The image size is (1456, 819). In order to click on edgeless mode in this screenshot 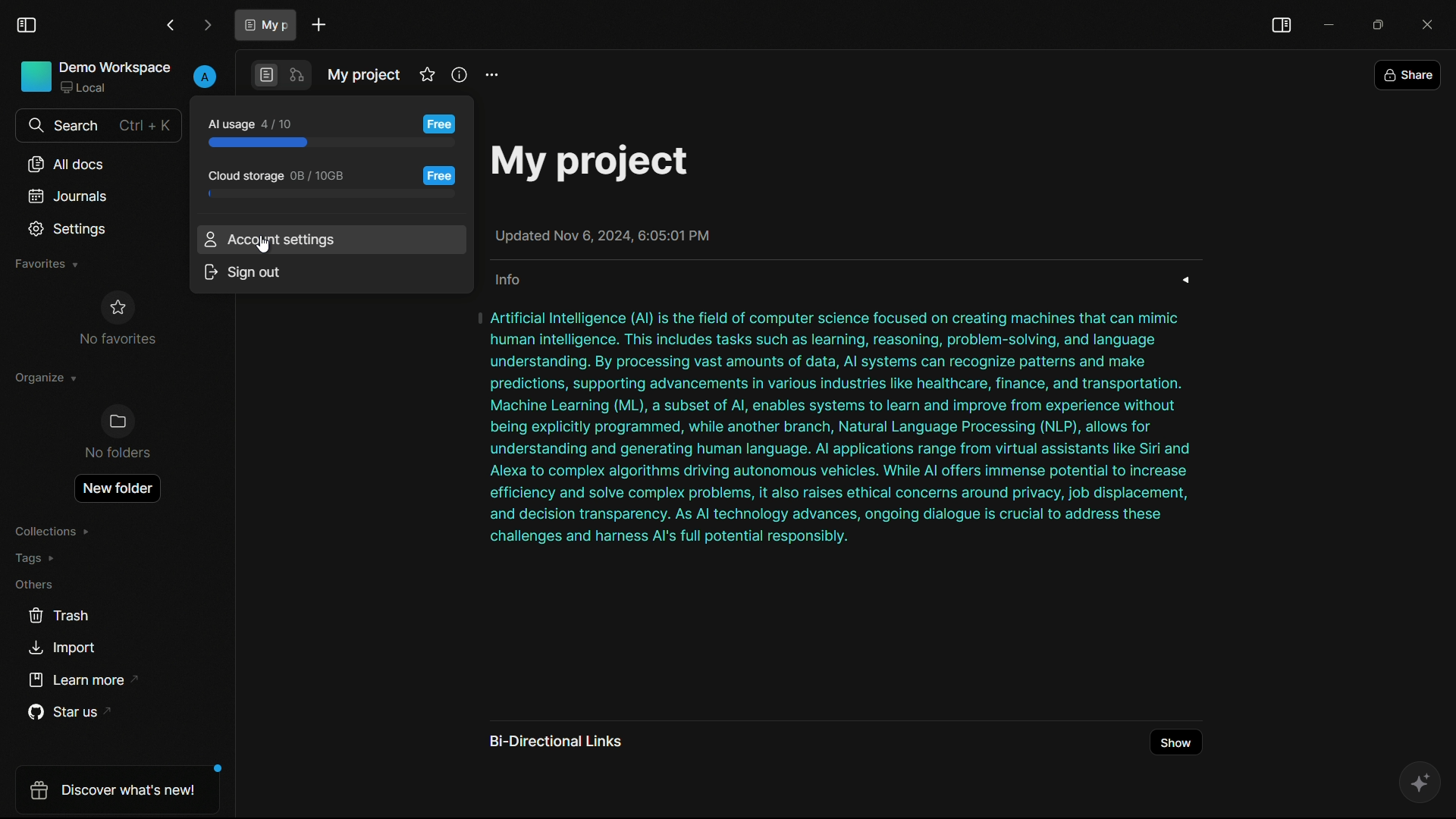, I will do `click(298, 76)`.